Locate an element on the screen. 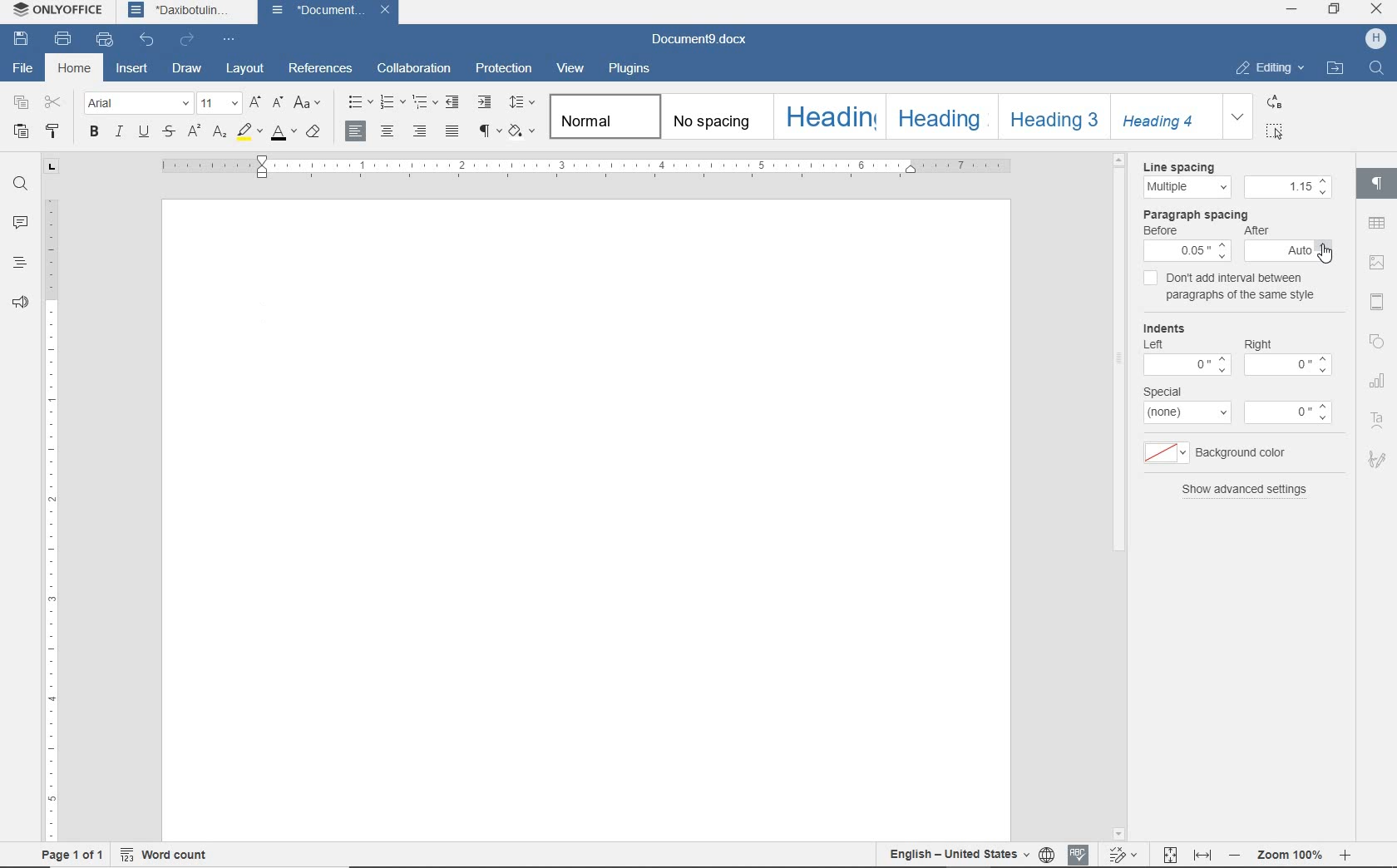 This screenshot has height=868, width=1397. view is located at coordinates (570, 69).